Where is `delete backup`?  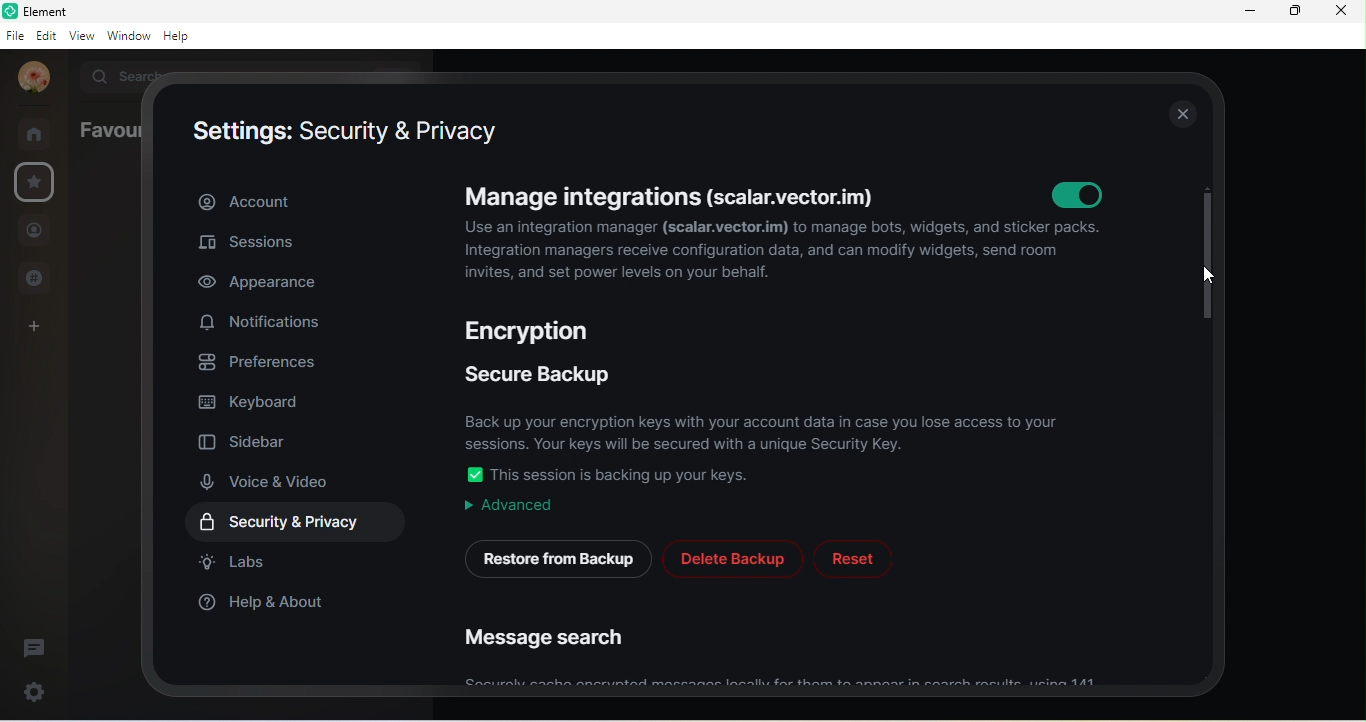 delete backup is located at coordinates (733, 558).